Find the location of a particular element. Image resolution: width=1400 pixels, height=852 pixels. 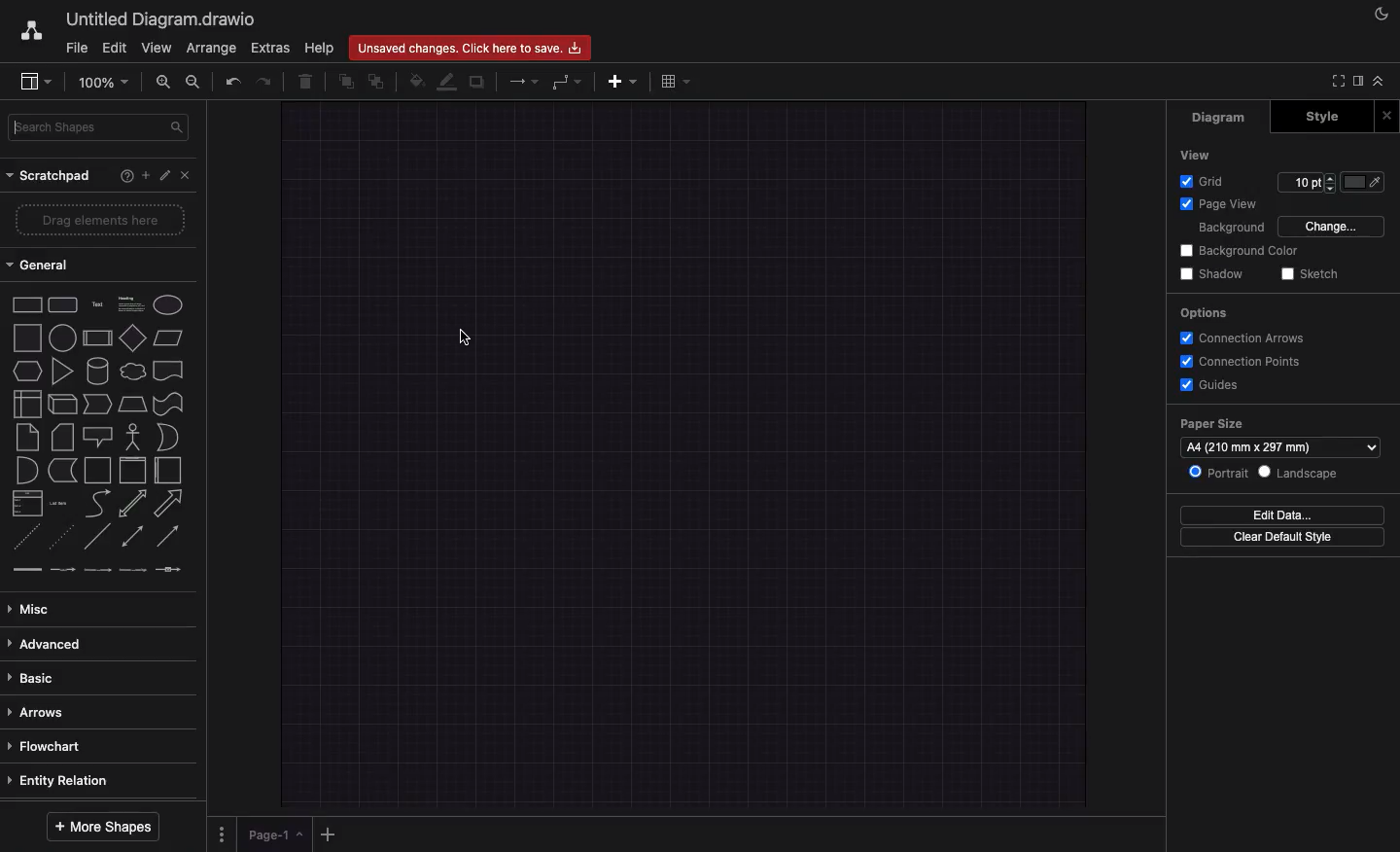

Edit is located at coordinates (161, 174).